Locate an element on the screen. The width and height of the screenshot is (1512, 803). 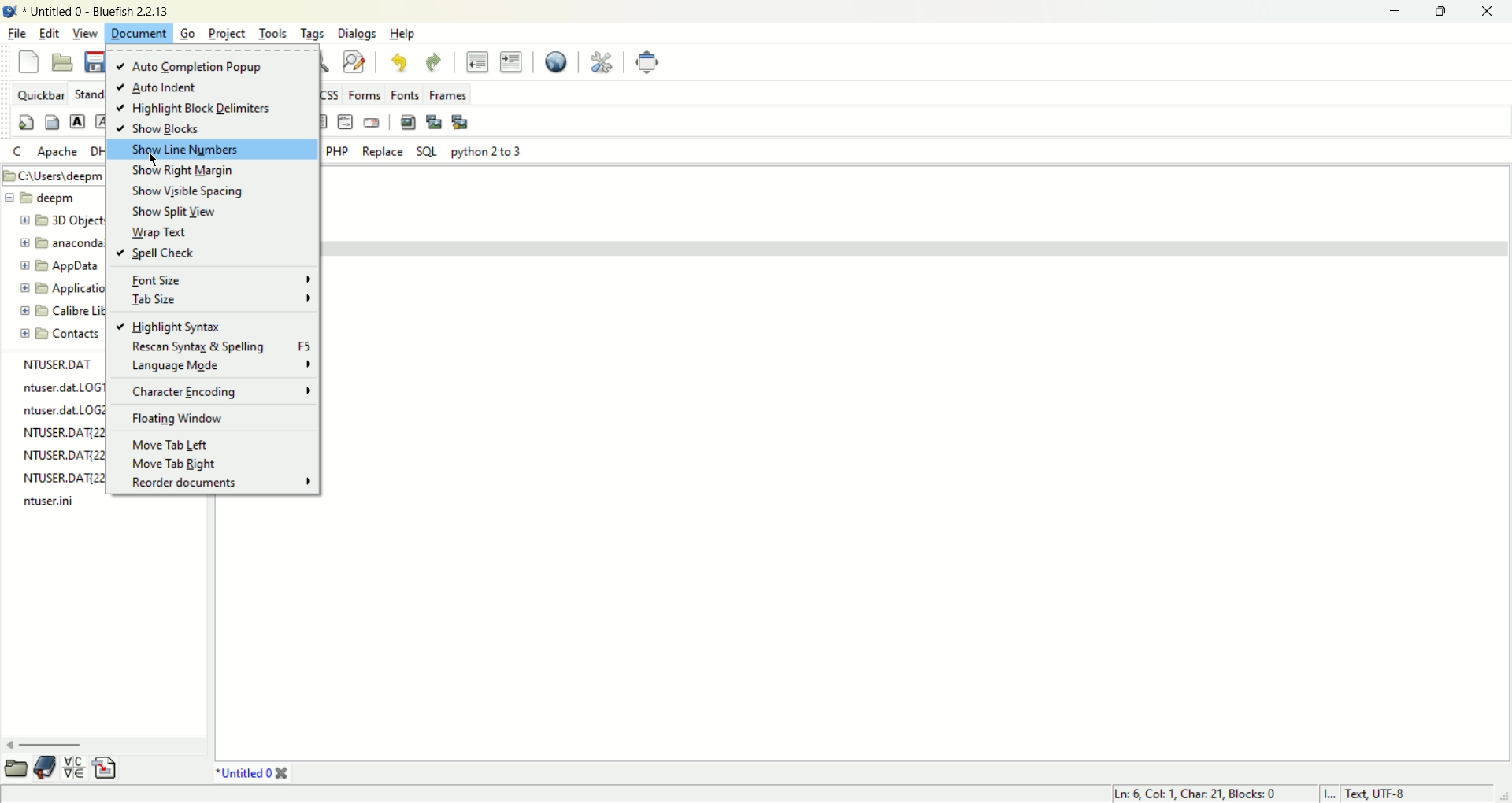
ln, col, char, blocks is located at coordinates (1190, 794).